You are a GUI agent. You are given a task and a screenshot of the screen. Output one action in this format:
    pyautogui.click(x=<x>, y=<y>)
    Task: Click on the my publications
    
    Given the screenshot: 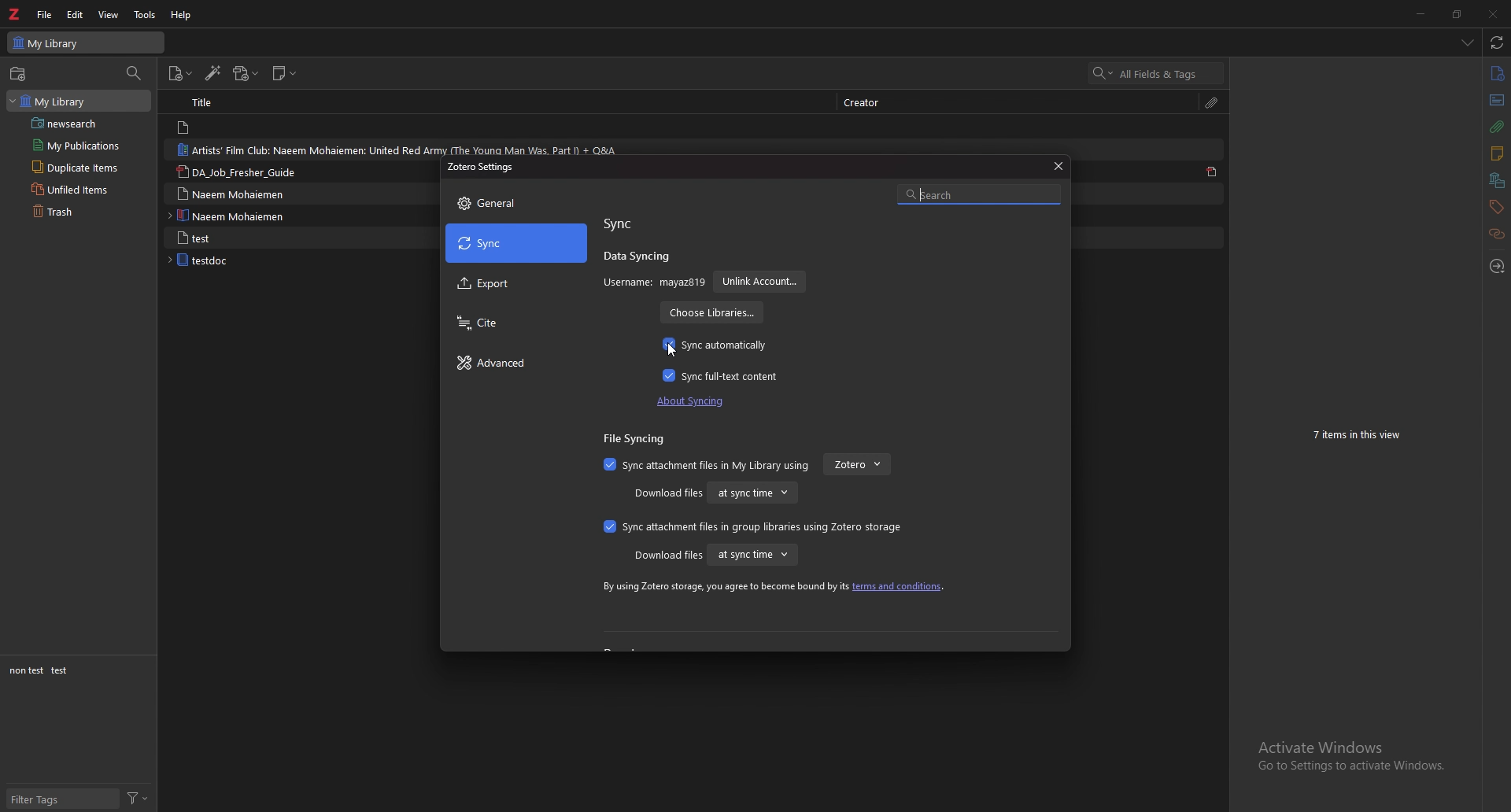 What is the action you would take?
    pyautogui.click(x=79, y=146)
    